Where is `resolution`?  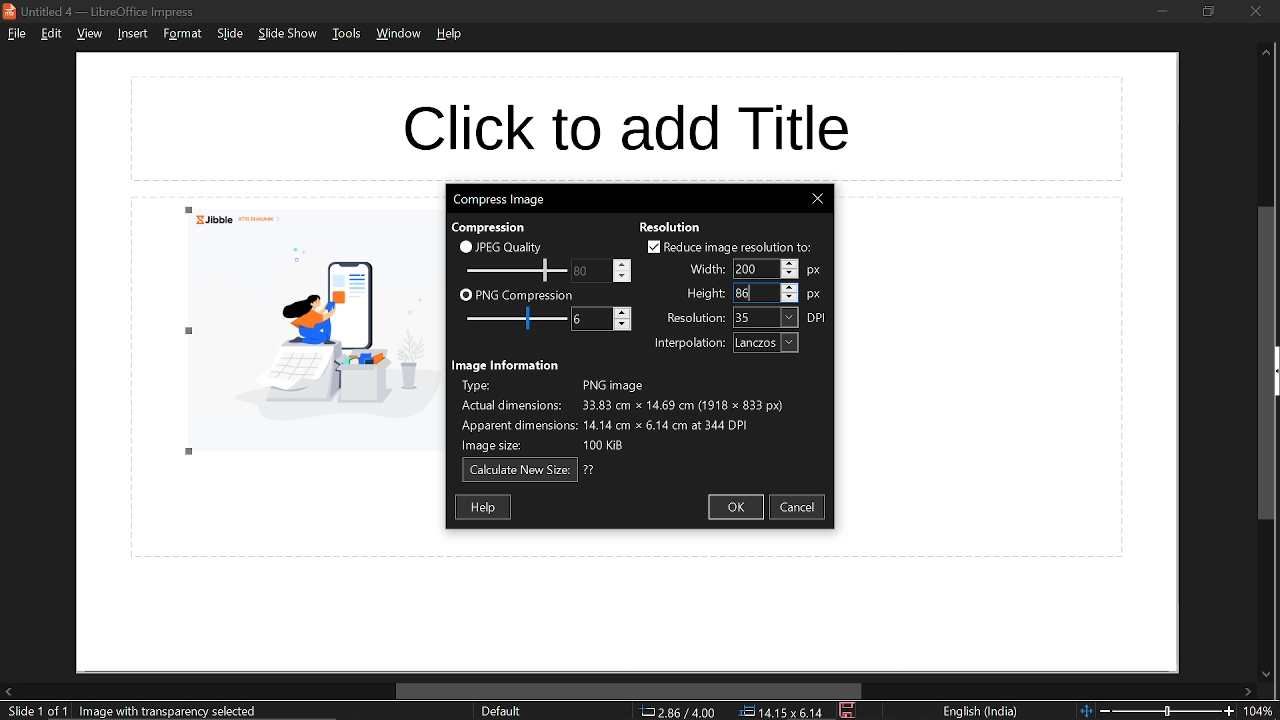
resolution is located at coordinates (691, 319).